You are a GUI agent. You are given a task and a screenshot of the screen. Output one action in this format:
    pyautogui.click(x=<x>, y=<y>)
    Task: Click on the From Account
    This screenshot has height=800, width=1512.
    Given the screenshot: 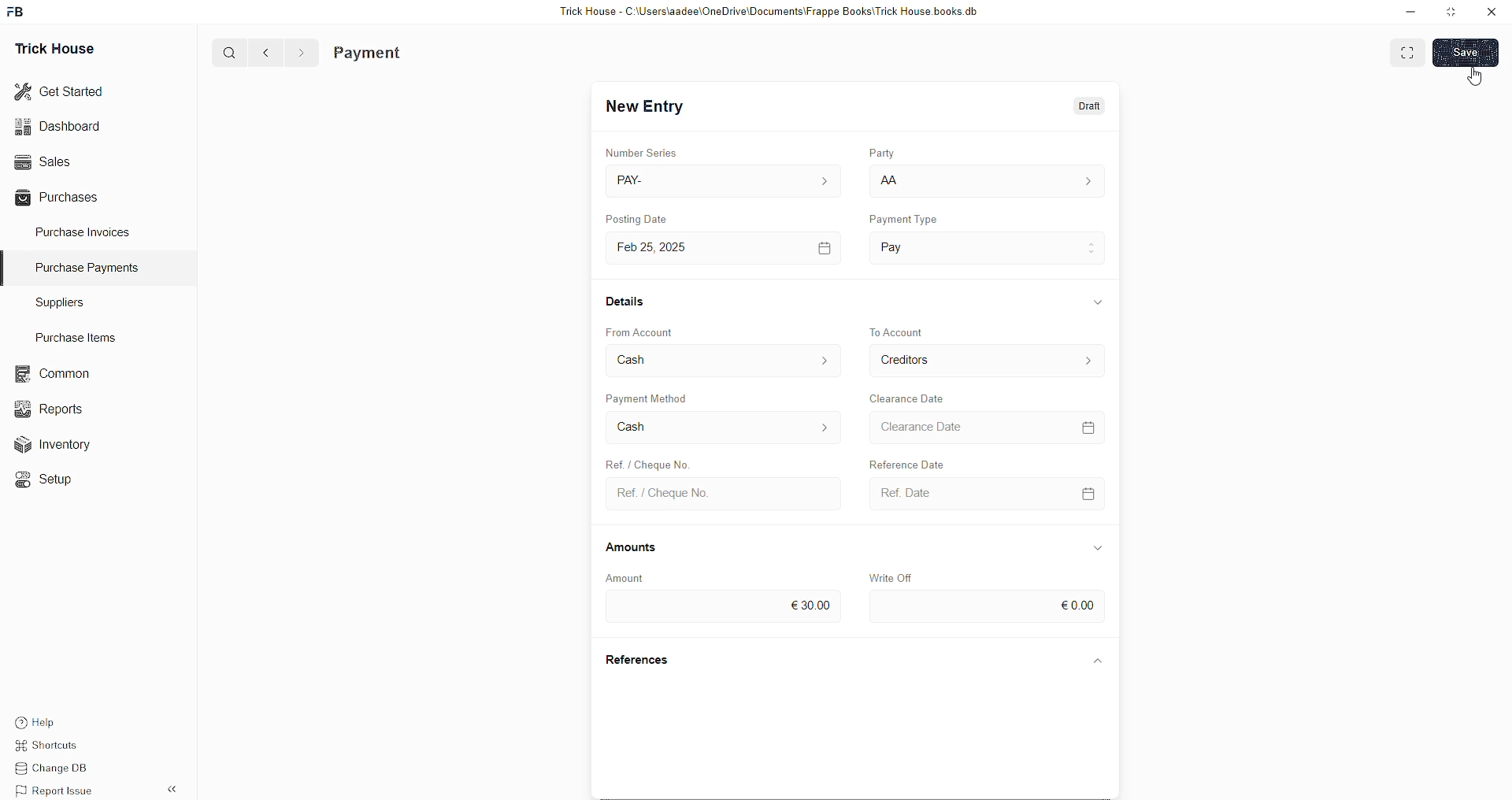 What is the action you would take?
    pyautogui.click(x=651, y=330)
    